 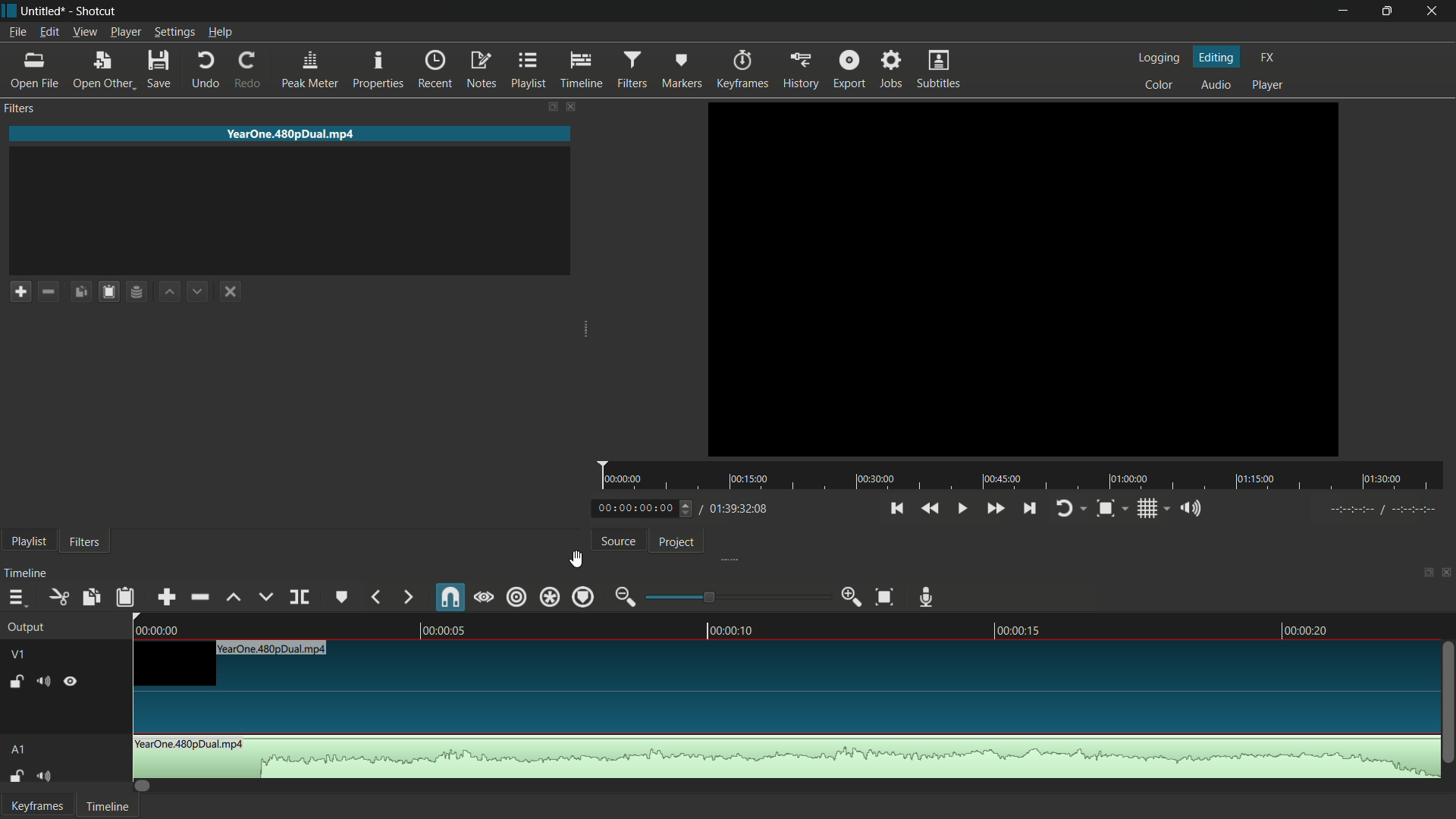 I want to click on 00:00:10, so click(x=734, y=630).